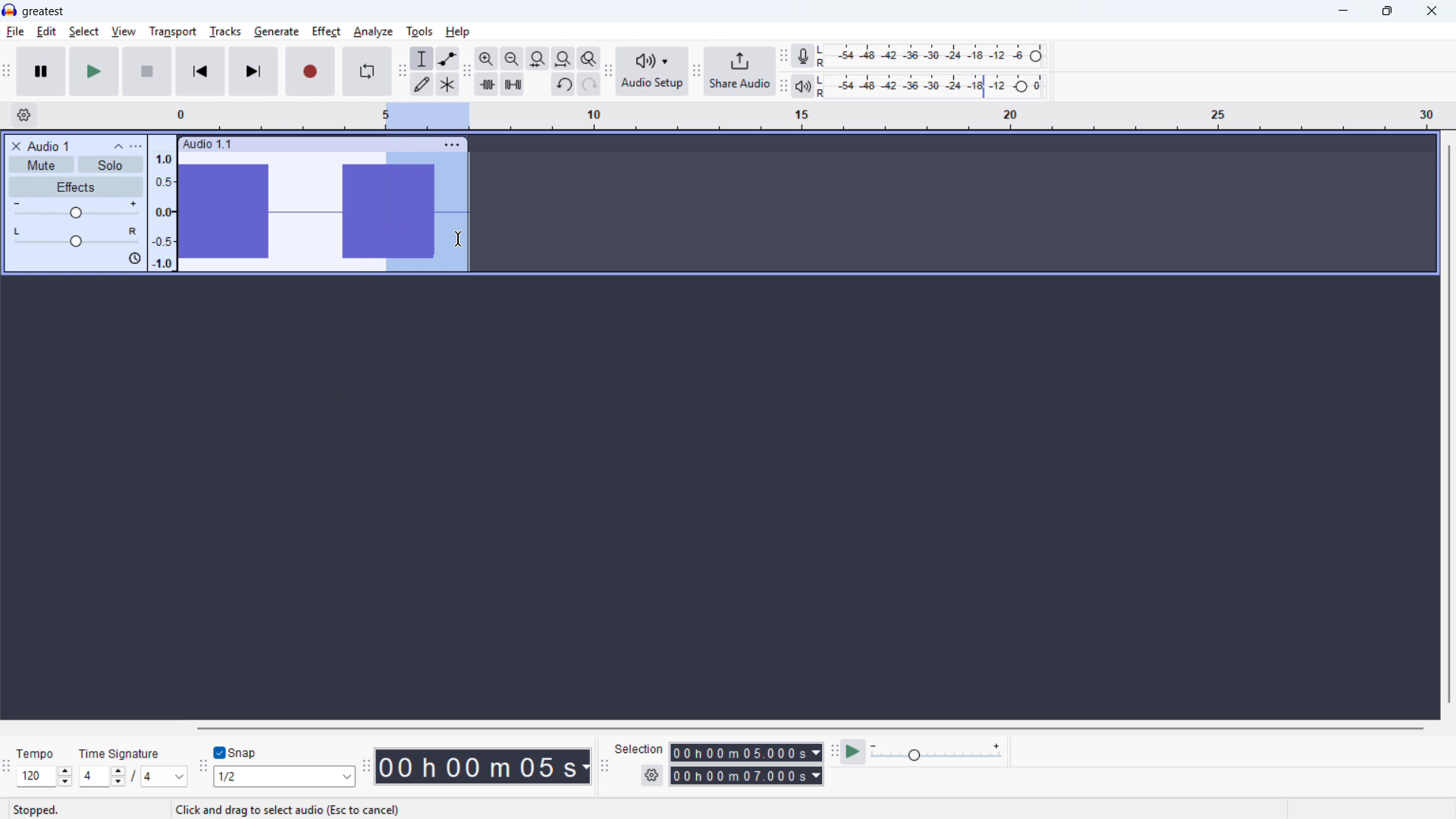 Image resolution: width=1456 pixels, height=819 pixels. I want to click on Selection settings , so click(653, 775).